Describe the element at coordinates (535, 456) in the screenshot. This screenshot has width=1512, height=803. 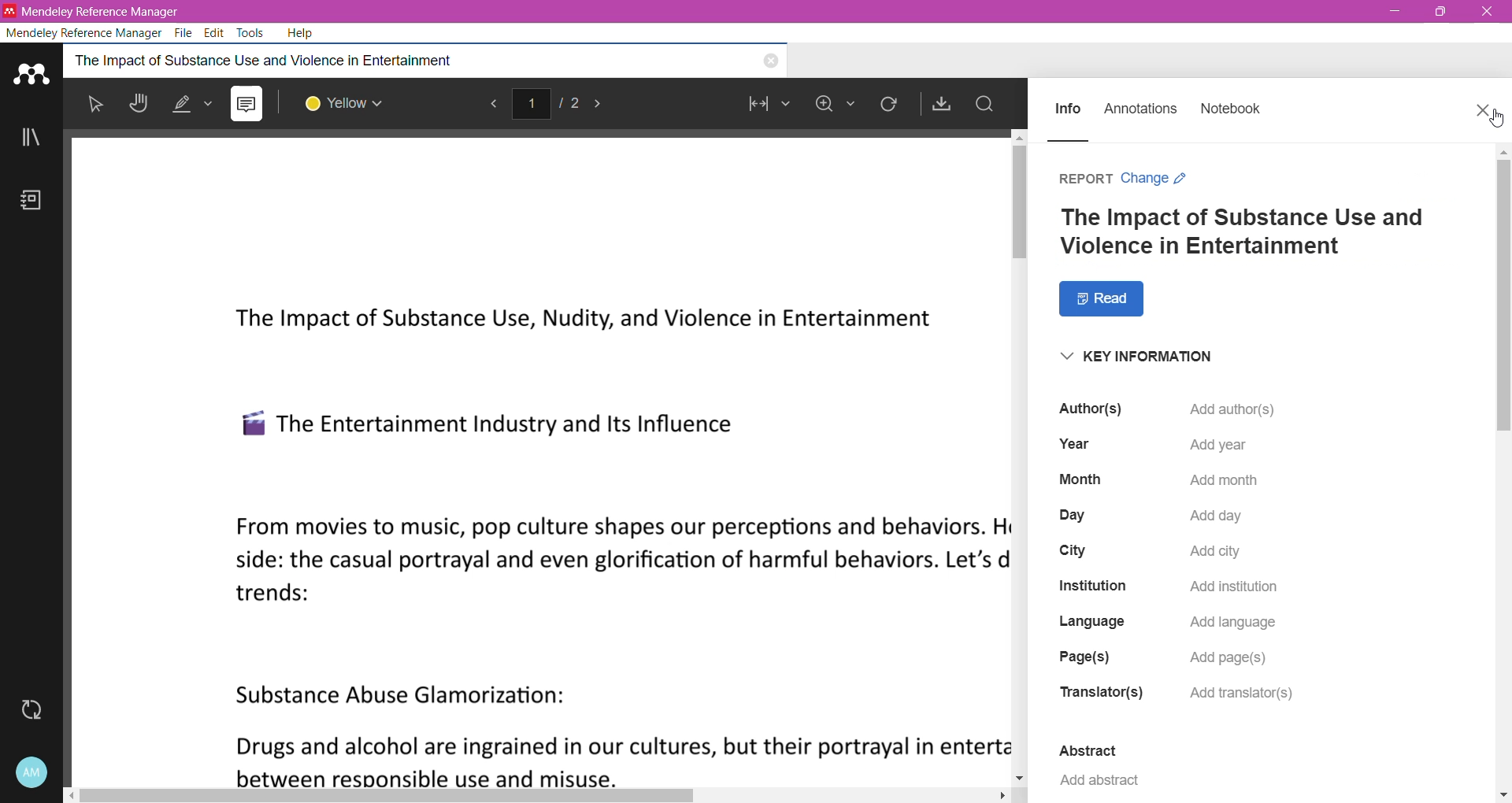
I see `Document in Default fit to width view` at that location.